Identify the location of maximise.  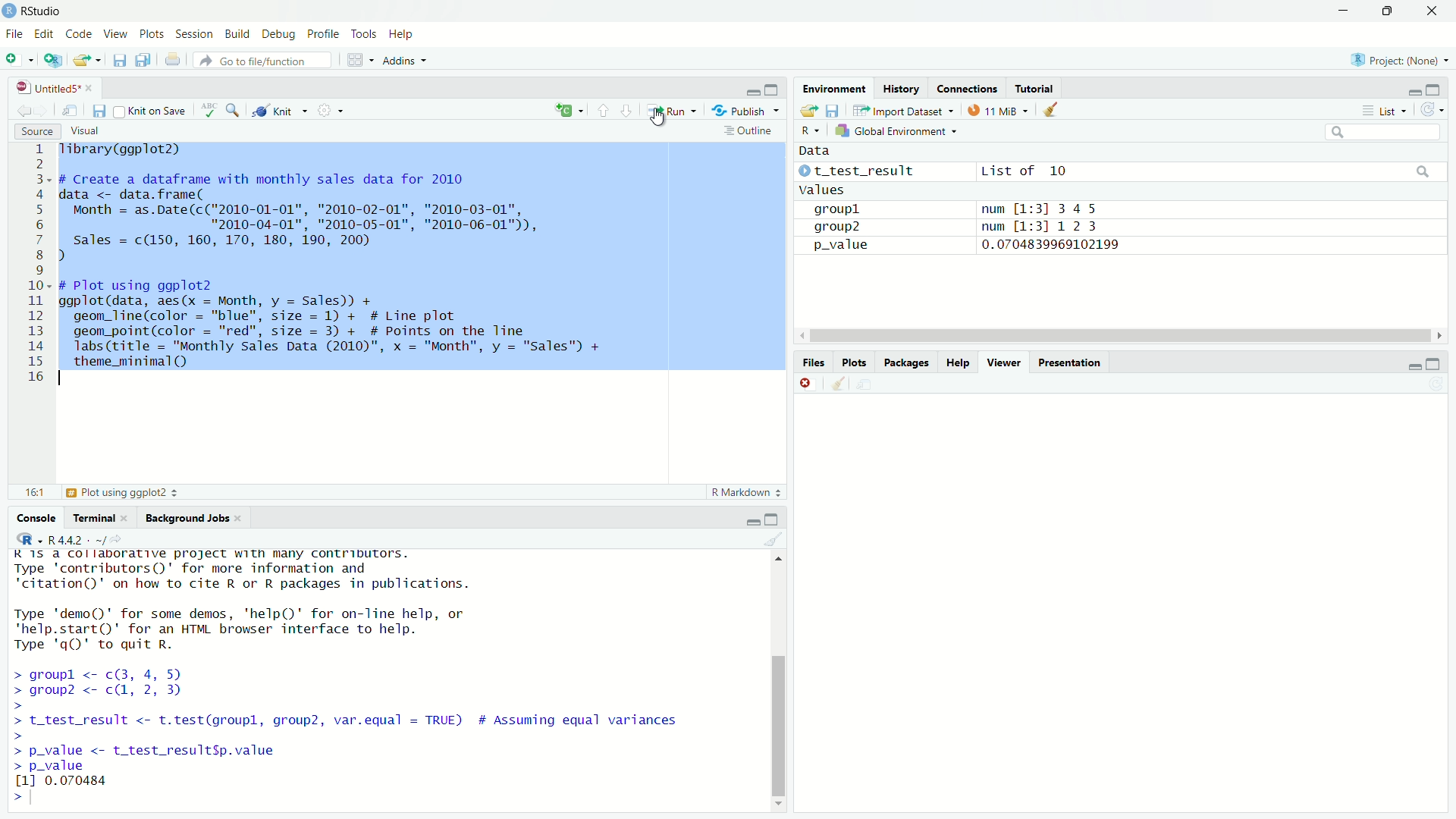
(772, 519).